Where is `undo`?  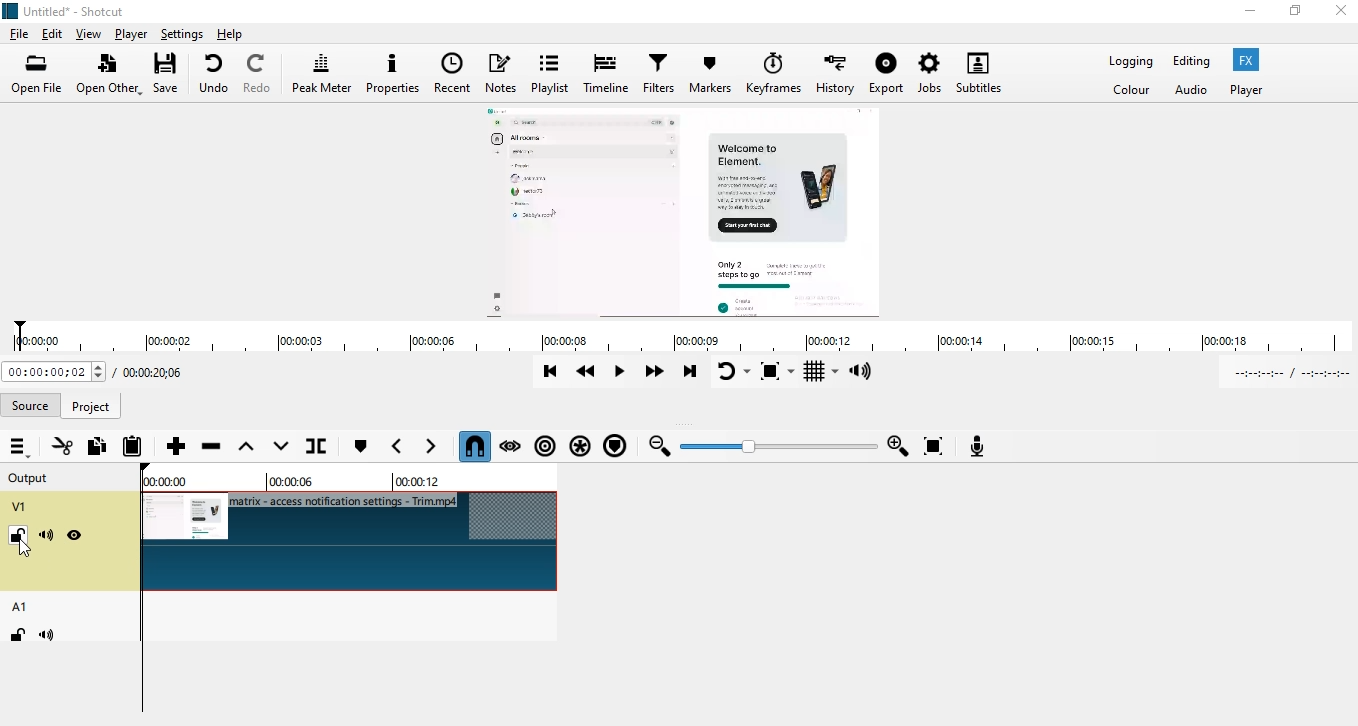 undo is located at coordinates (215, 74).